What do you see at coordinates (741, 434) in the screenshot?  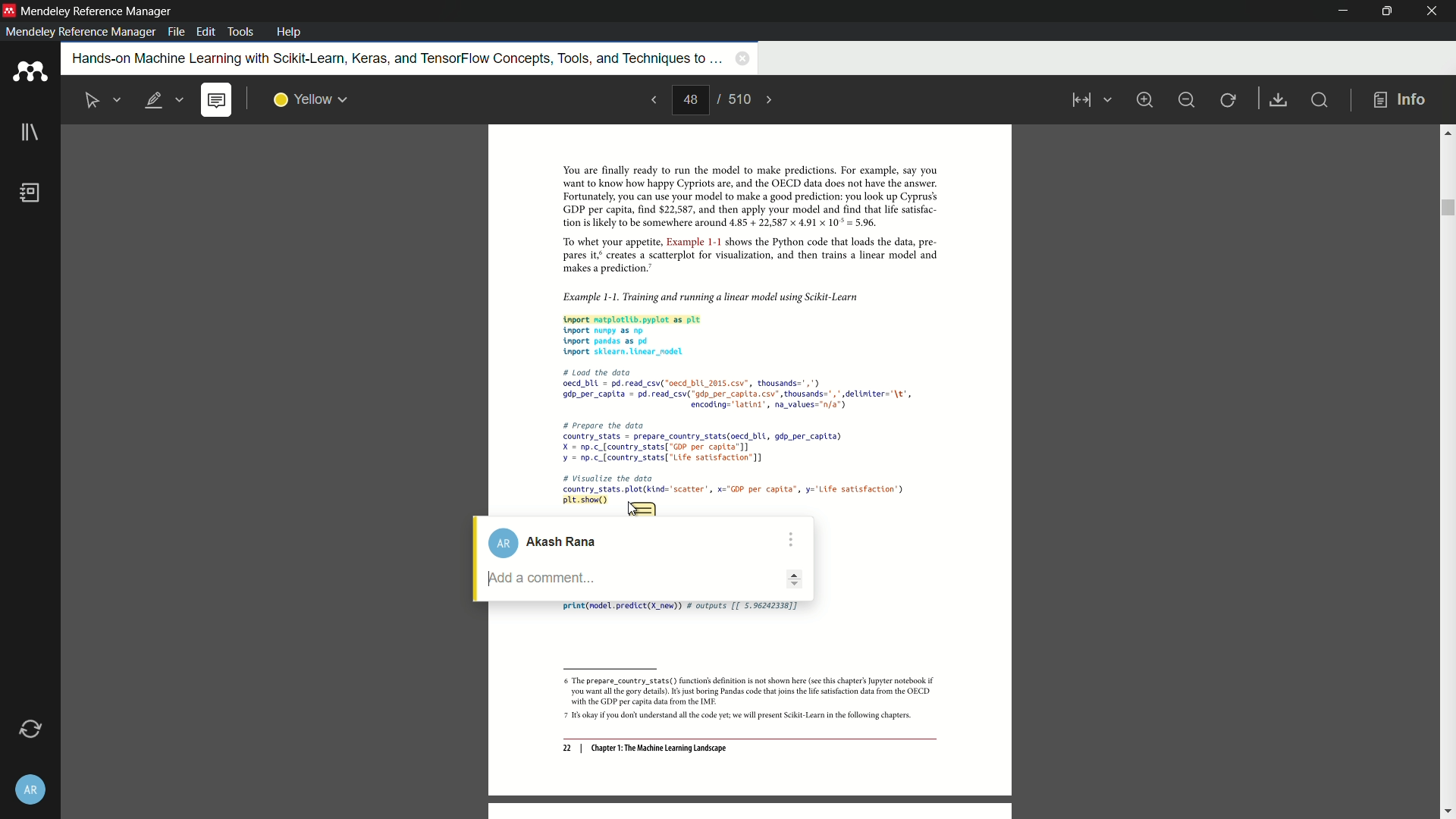 I see `# Load the data

oecd_bUL = pd. read_csv("oecd_bLL 2015.csv”, thousands=",")

9dp_per_captta = pd.read_csv("gdp_per capita. csv’, thousands=",* delintter="\t',
encoding="latini’, na_values="n/a")

# prepare the data

country_stats = prepare_country_stats(aecd bli, gdp_per capita)

X = np.c_[country_stats[ "GOP per captta’]]

¥ = np.c_(country_stats[ "Life satisfaction]

# Visualize the dota

country_stats. plot(kind="scatter, x="G0P per capita”, y='Life satisfaction’)

pt. show()

# select a linear nodel

nodel = sklearn. linear_nodel. LinearRegression()

# Train the model

nodelFLL(X, ¥)

# Nake a prediction for Cyprus

X_new = [[22567]] # Cyprus’ GOP per capita

print(nodel.predict(X new) # outputs [[ 5.96242338]]` at bounding box center [741, 434].